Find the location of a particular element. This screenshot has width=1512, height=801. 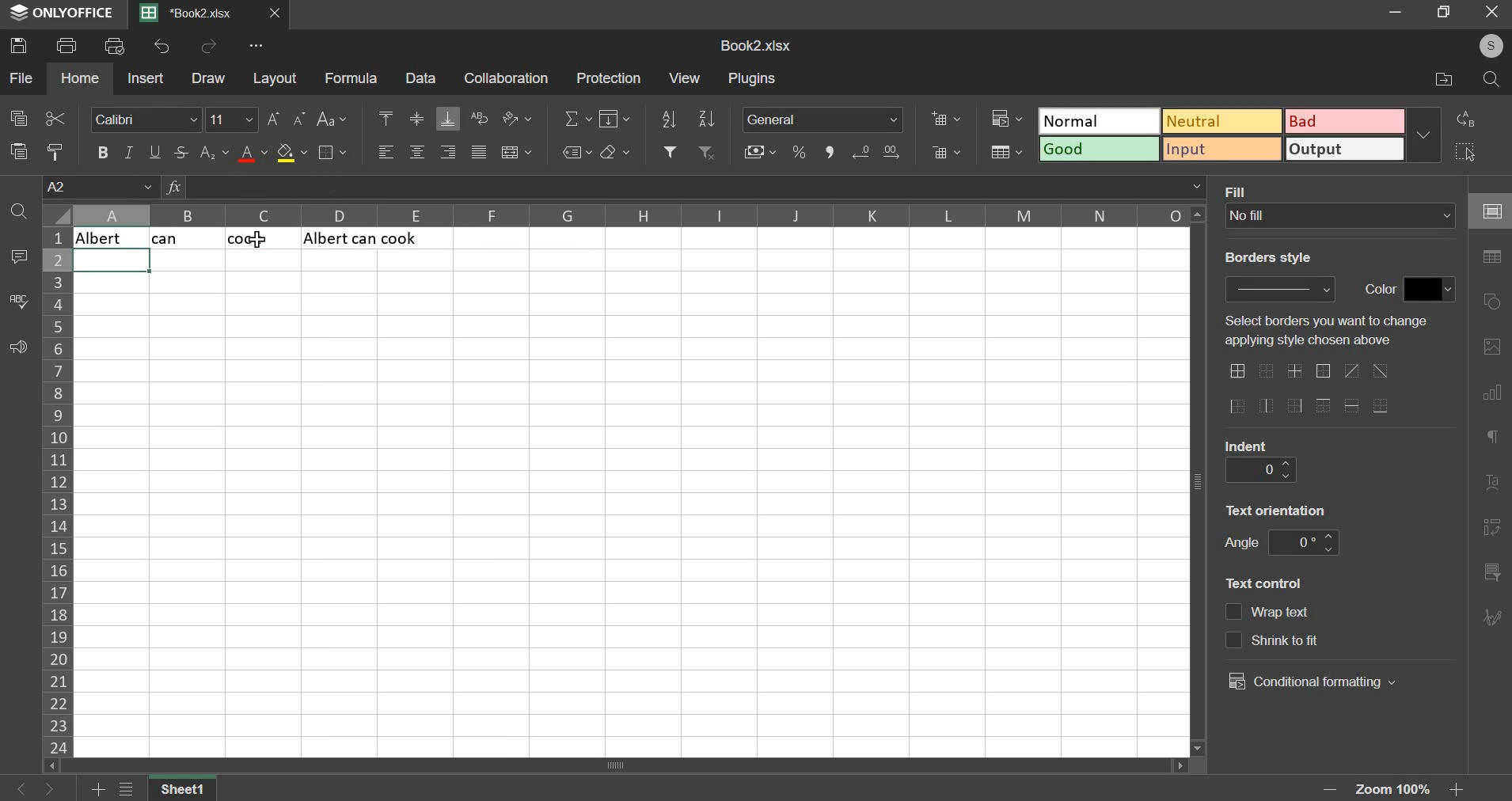

merge & center is located at coordinates (517, 152).